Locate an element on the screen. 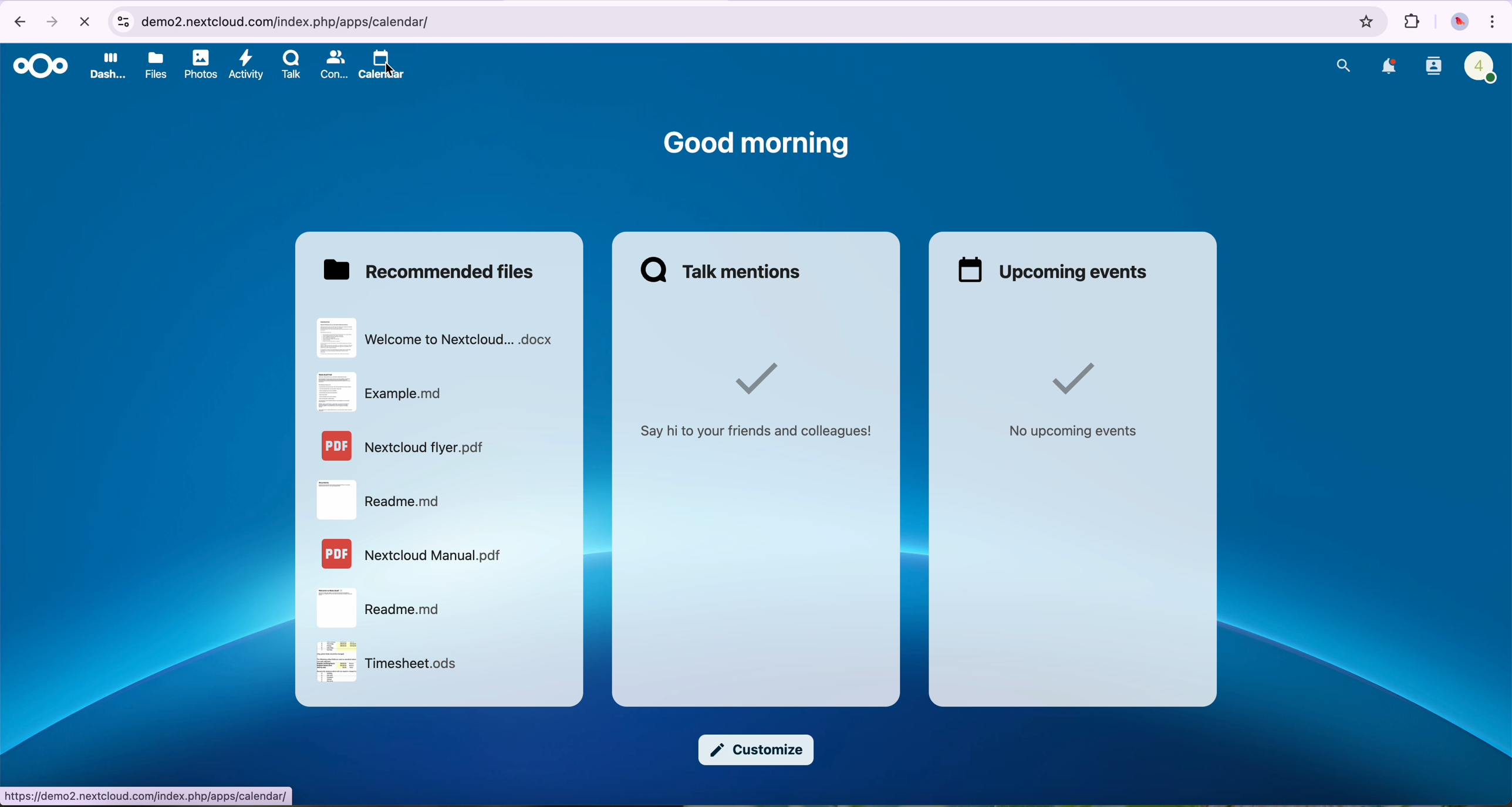 The height and width of the screenshot is (807, 1512). upcoming events is located at coordinates (1055, 270).